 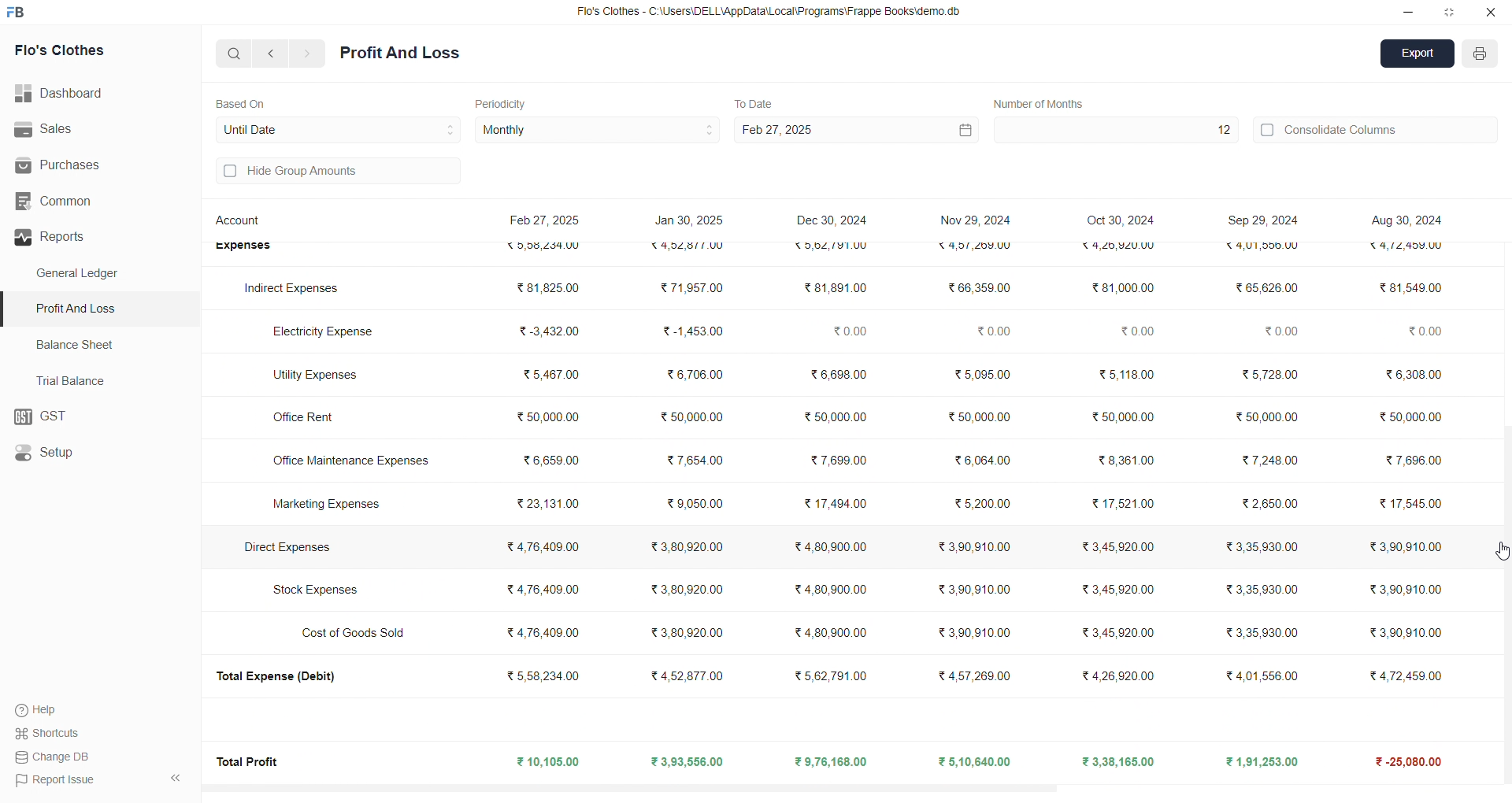 What do you see at coordinates (94, 237) in the screenshot?
I see `Reports` at bounding box center [94, 237].